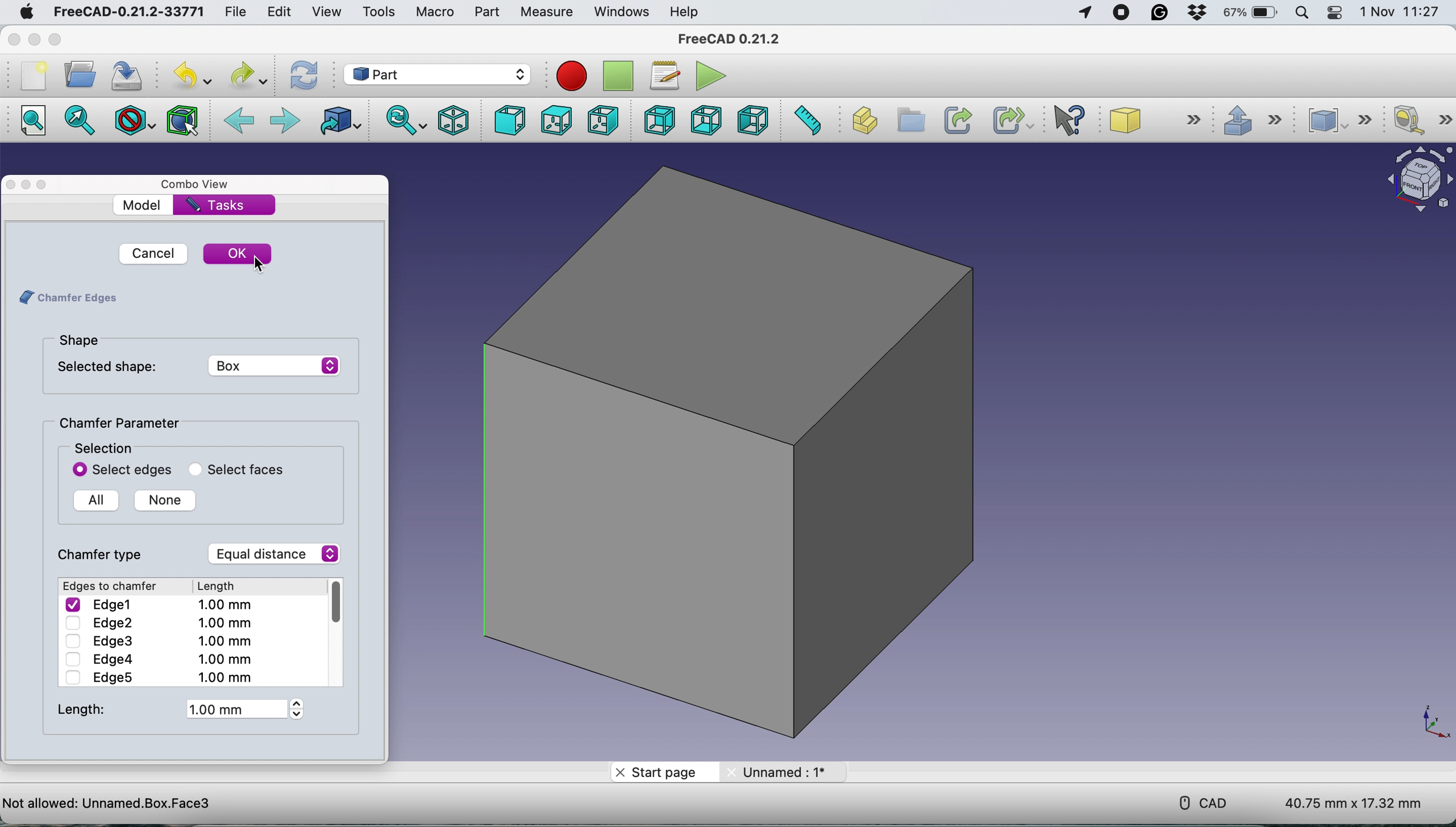 Image resolution: width=1456 pixels, height=827 pixels. What do you see at coordinates (16, 41) in the screenshot?
I see `close` at bounding box center [16, 41].